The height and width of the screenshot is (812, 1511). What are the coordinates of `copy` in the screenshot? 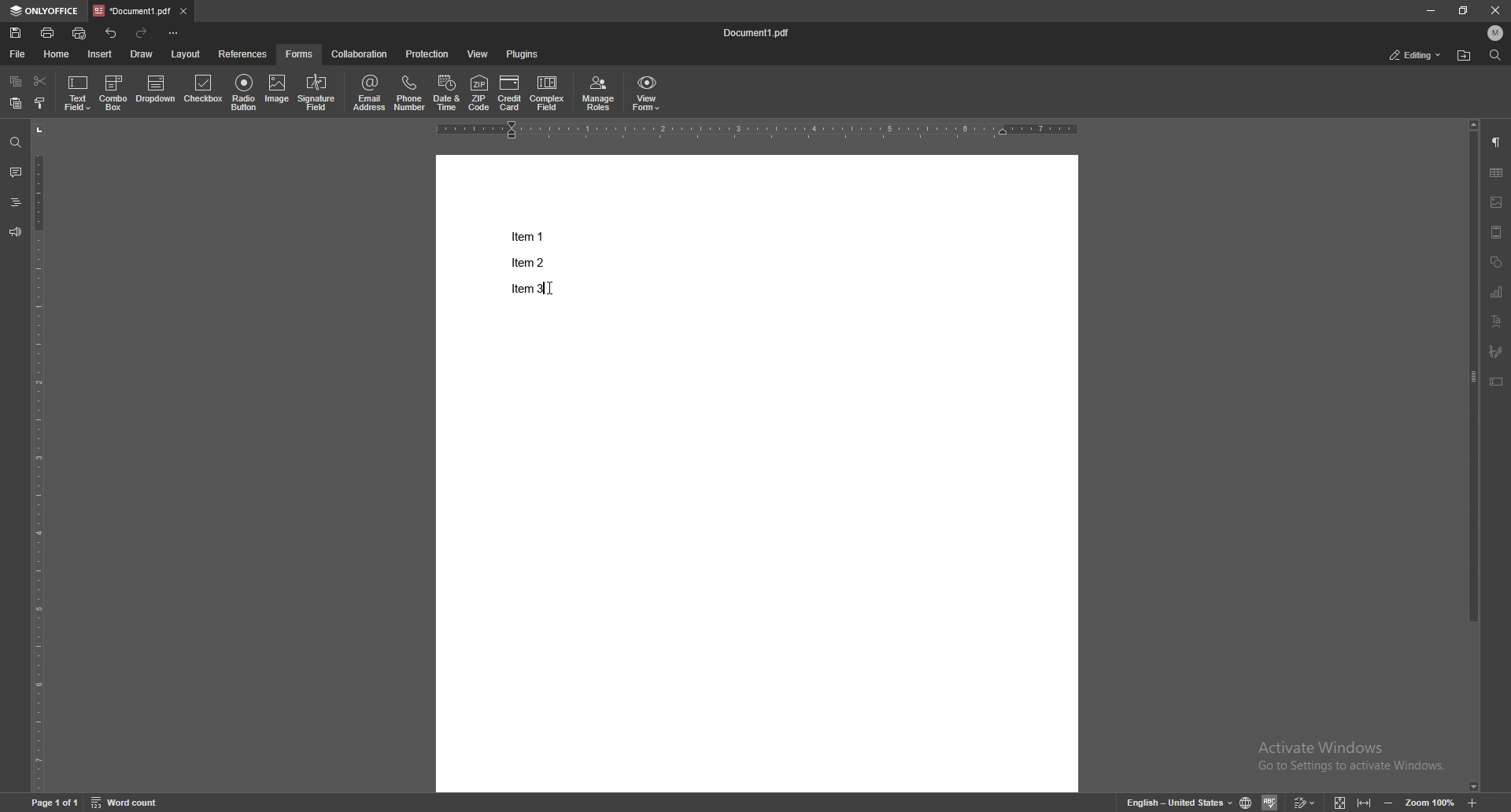 It's located at (17, 81).